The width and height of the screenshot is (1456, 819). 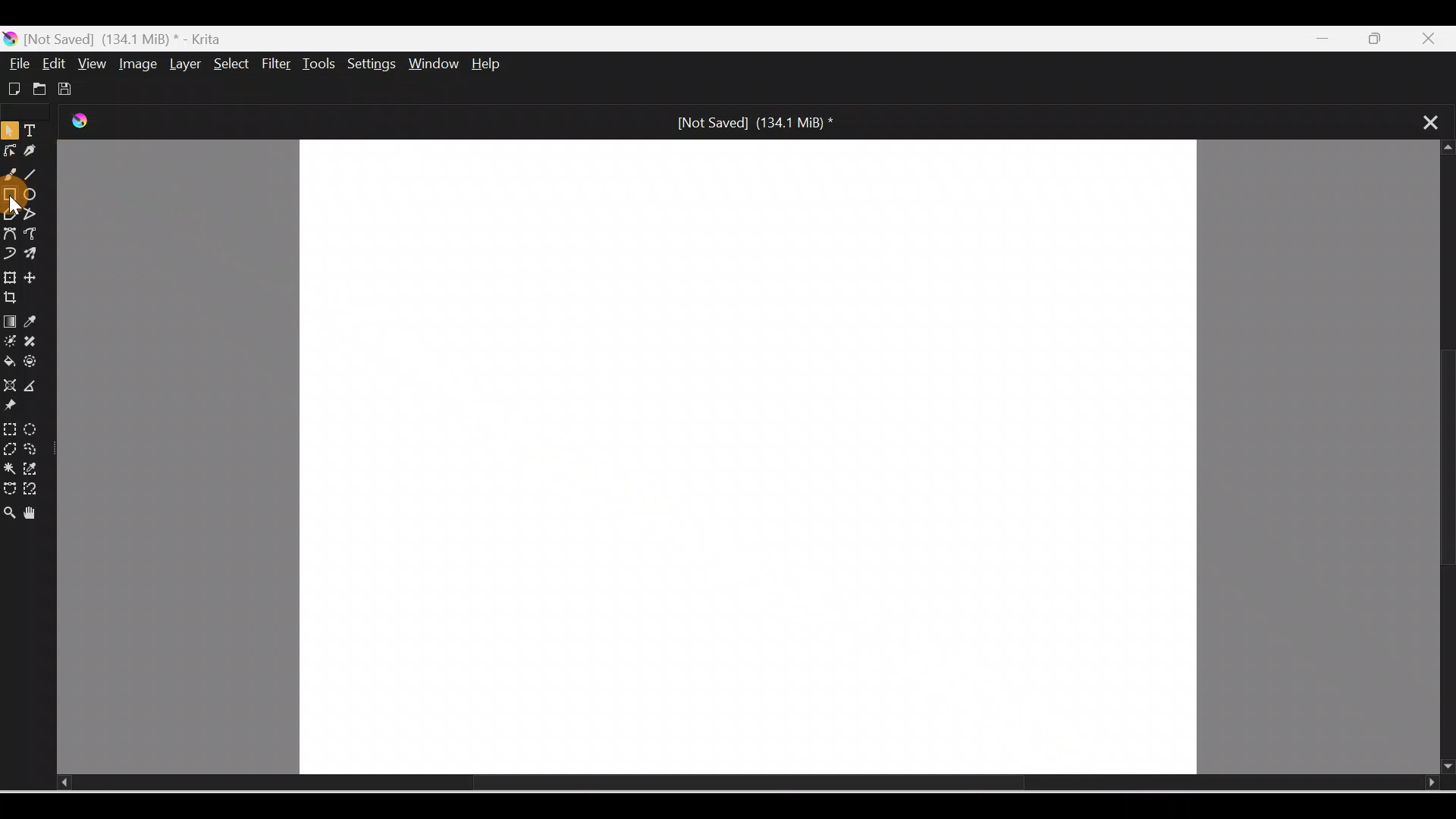 What do you see at coordinates (9, 322) in the screenshot?
I see `Draw a gradient` at bounding box center [9, 322].